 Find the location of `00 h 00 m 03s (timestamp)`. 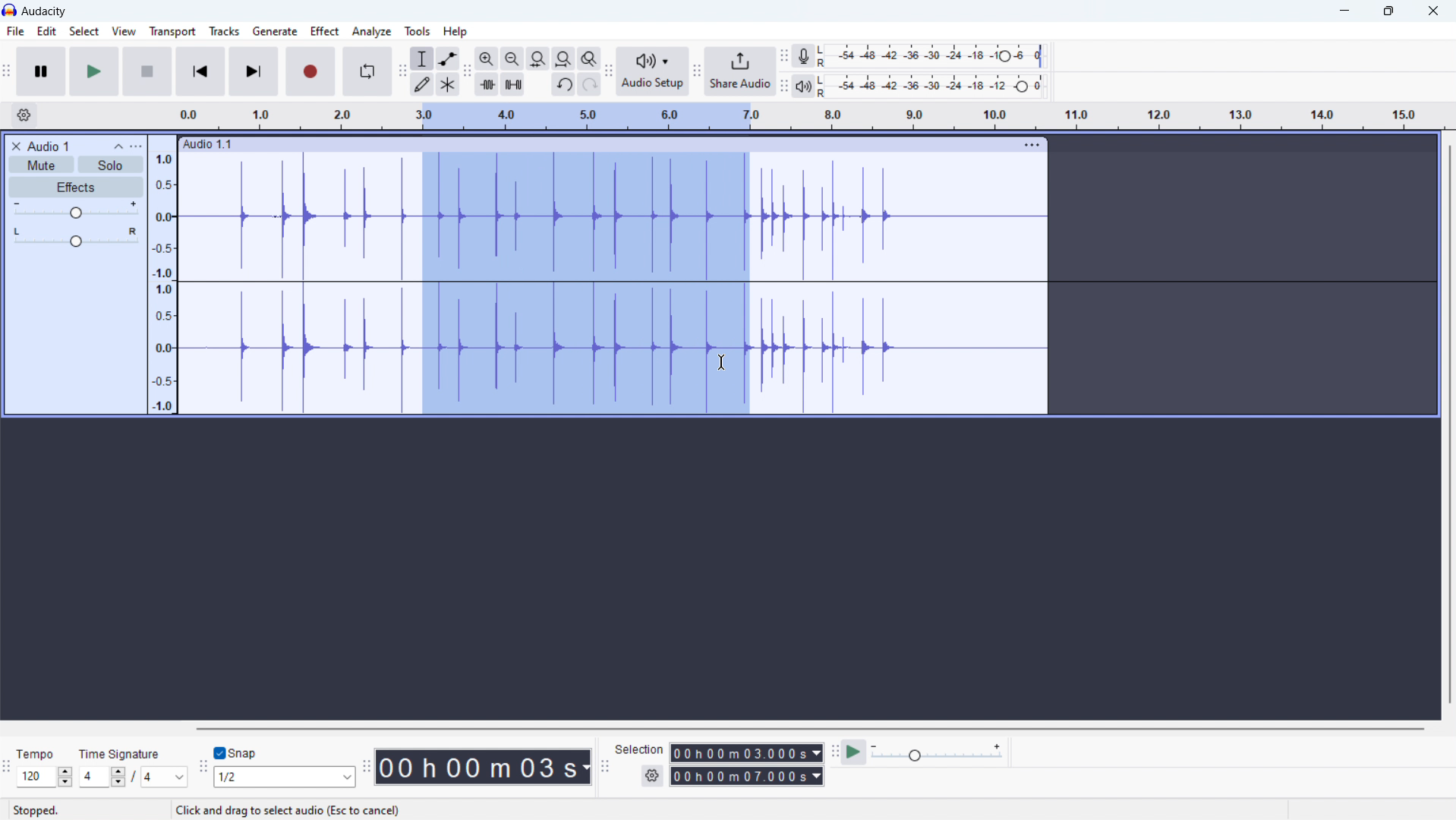

00 h 00 m 03s (timestamp) is located at coordinates (484, 770).